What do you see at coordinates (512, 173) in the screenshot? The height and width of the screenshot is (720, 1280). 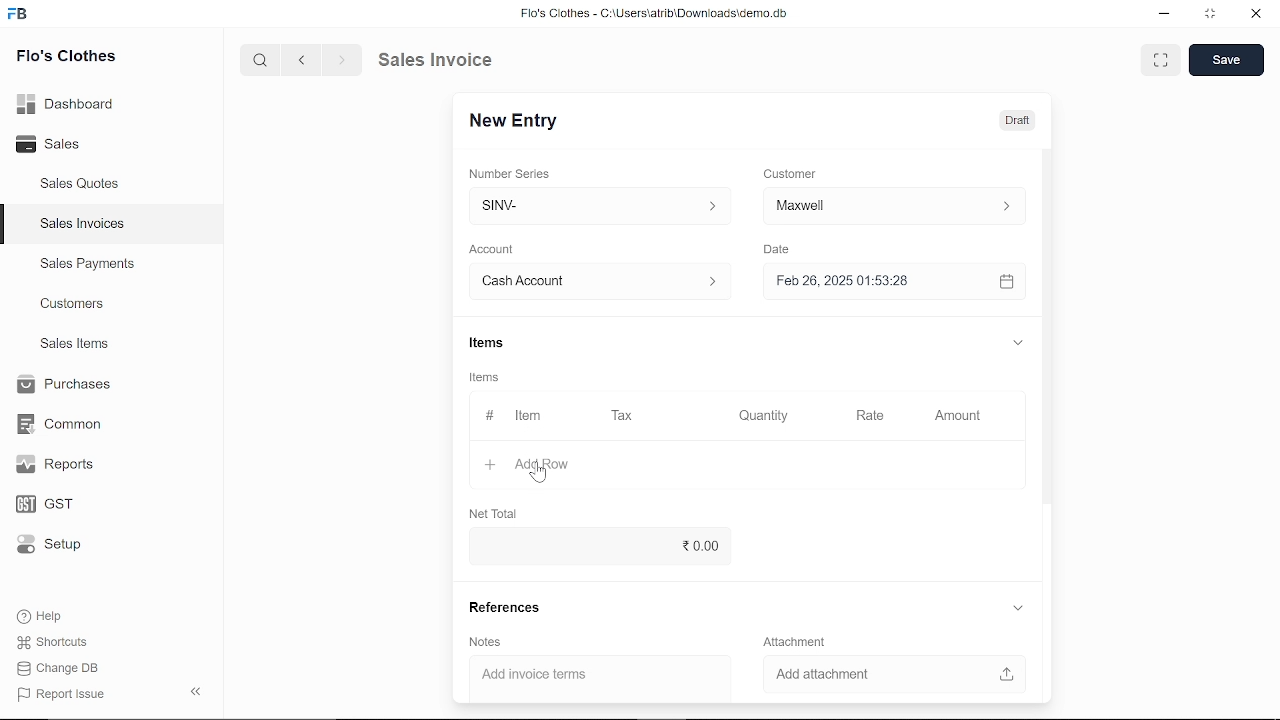 I see `Number Series` at bounding box center [512, 173].